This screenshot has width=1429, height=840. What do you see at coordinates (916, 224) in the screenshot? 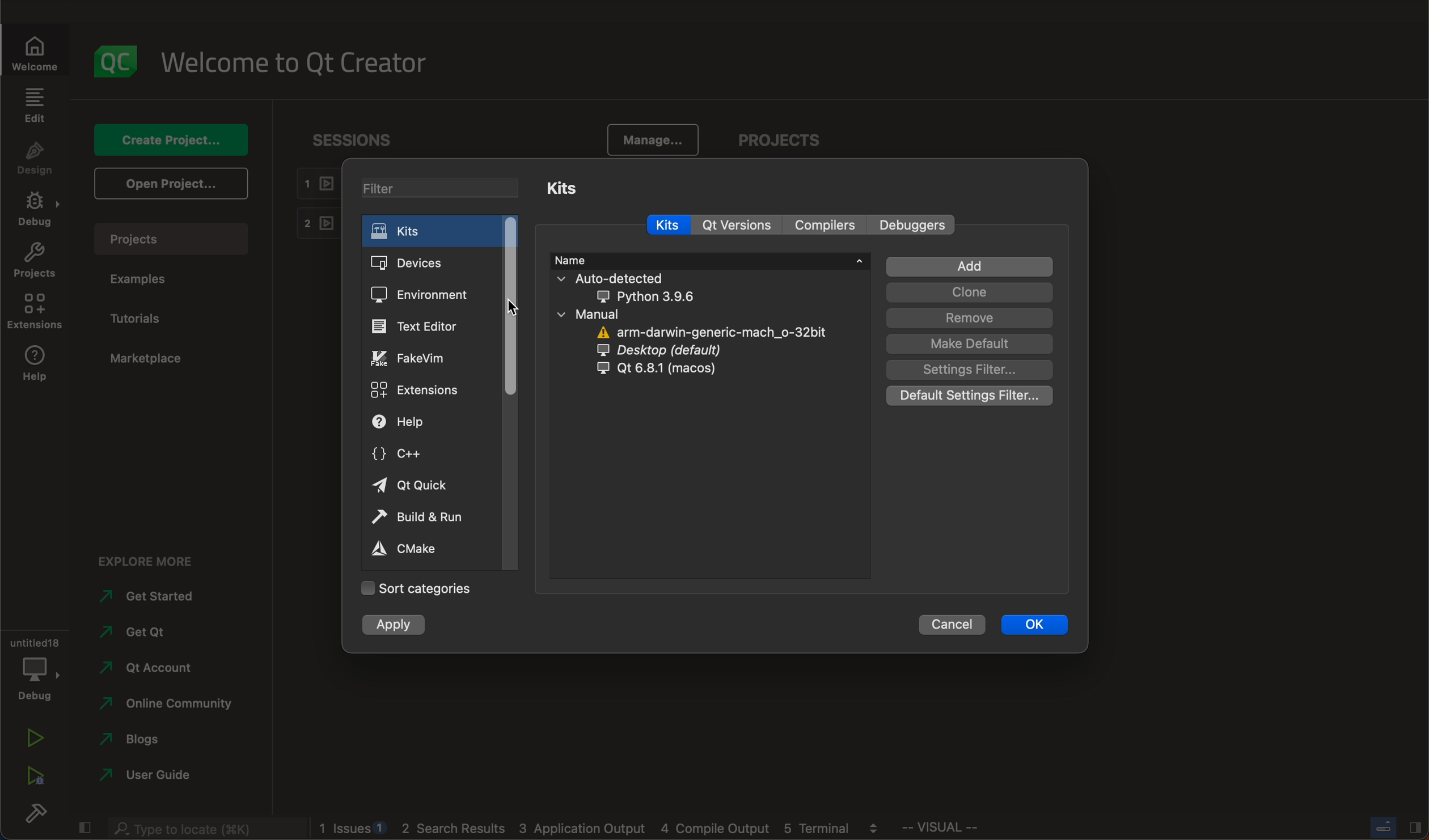
I see `debuggers` at bounding box center [916, 224].